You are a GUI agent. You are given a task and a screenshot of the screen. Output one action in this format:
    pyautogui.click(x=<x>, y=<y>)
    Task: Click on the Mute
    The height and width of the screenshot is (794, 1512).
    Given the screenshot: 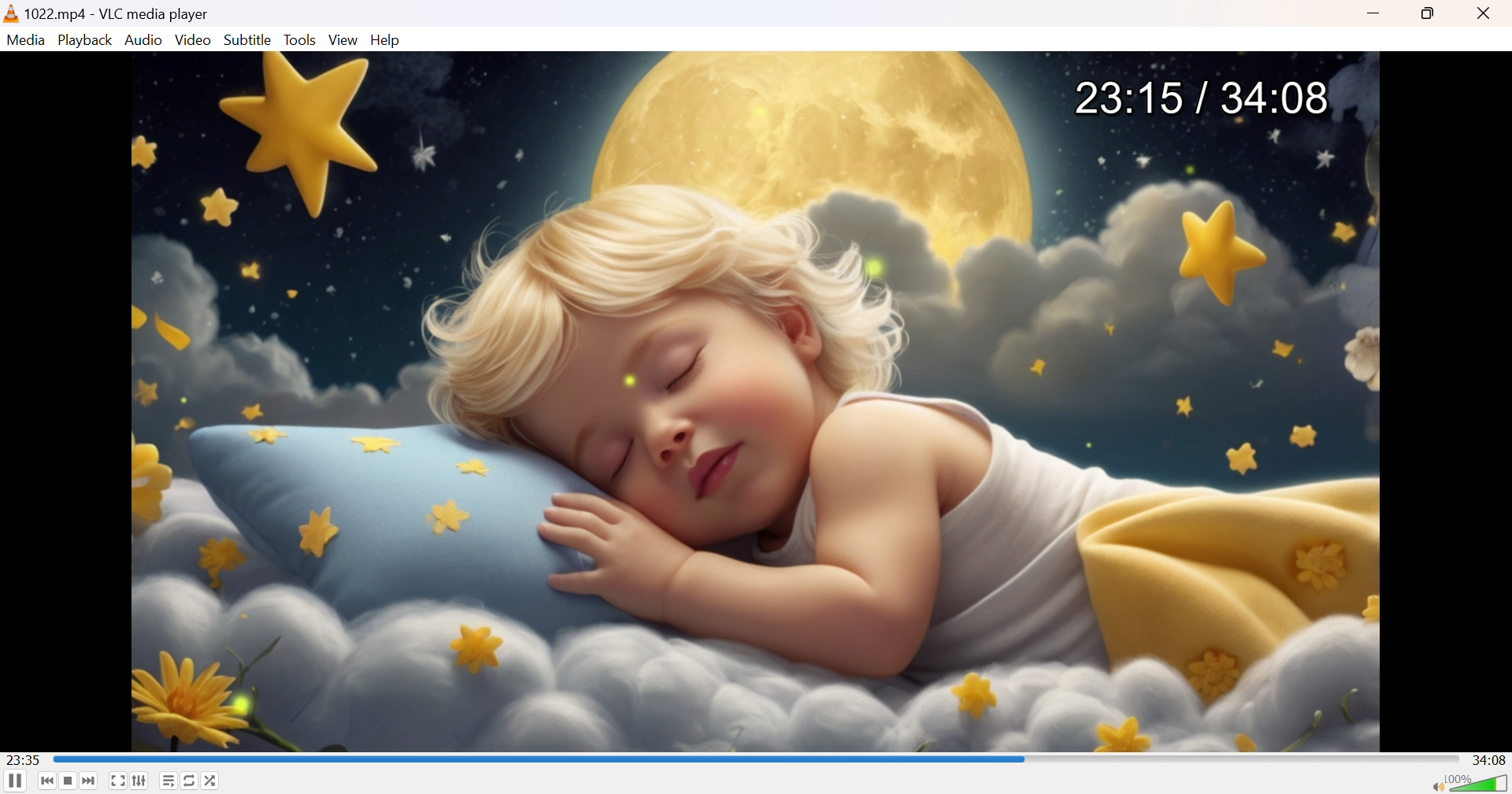 What is the action you would take?
    pyautogui.click(x=1434, y=785)
    